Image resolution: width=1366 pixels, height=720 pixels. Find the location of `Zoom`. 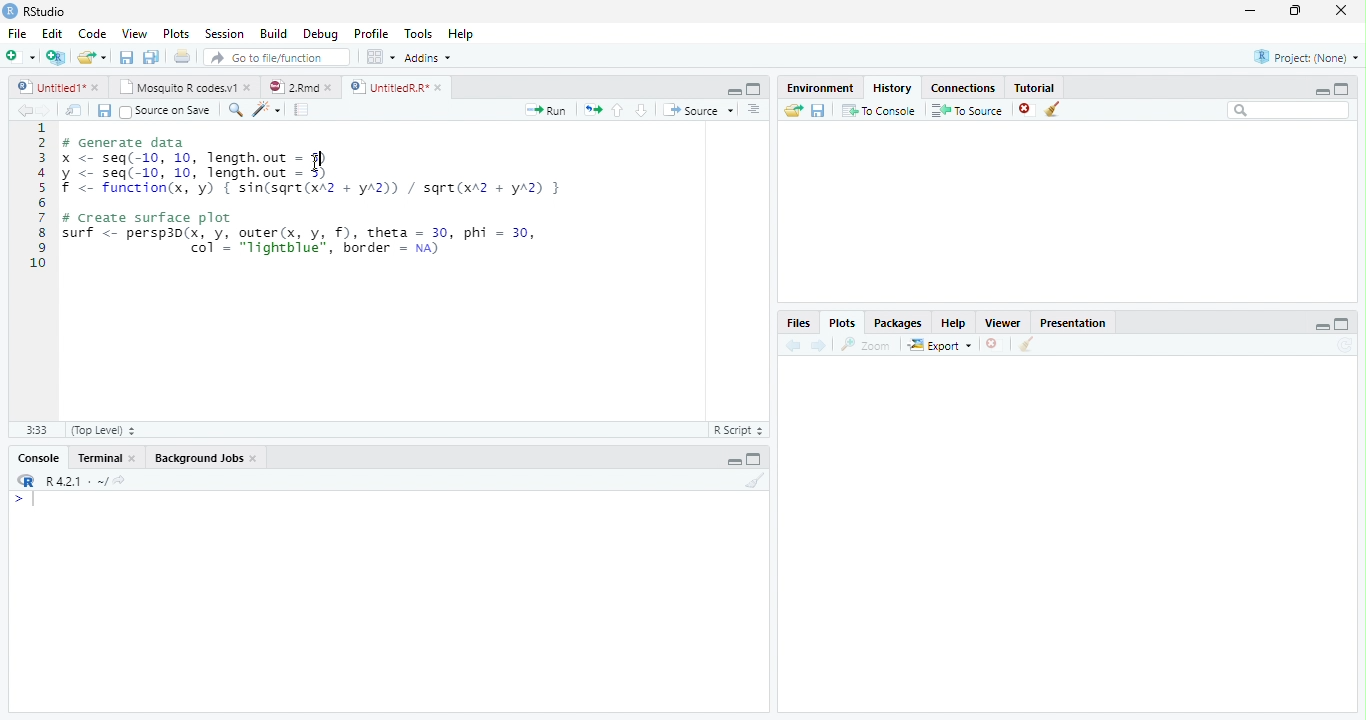

Zoom is located at coordinates (865, 345).